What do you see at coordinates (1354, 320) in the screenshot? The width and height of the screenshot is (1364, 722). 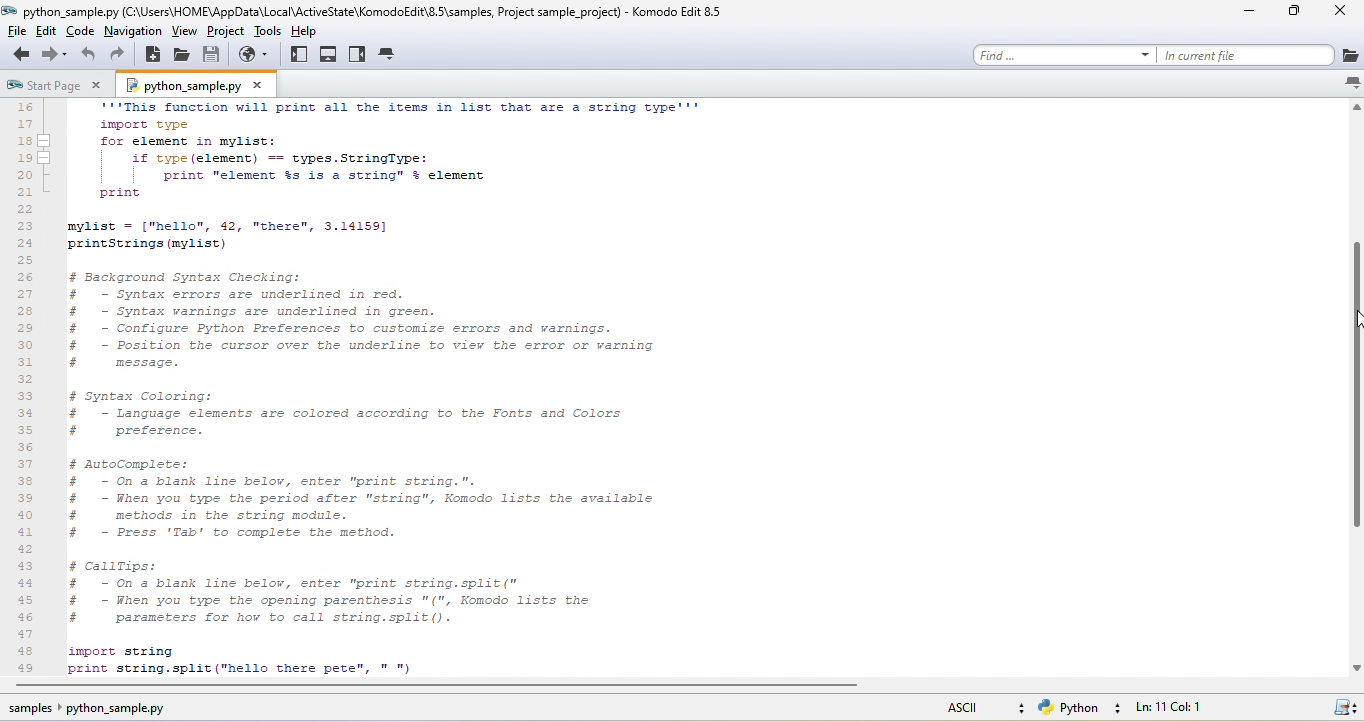 I see `cursor during drag to` at bounding box center [1354, 320].